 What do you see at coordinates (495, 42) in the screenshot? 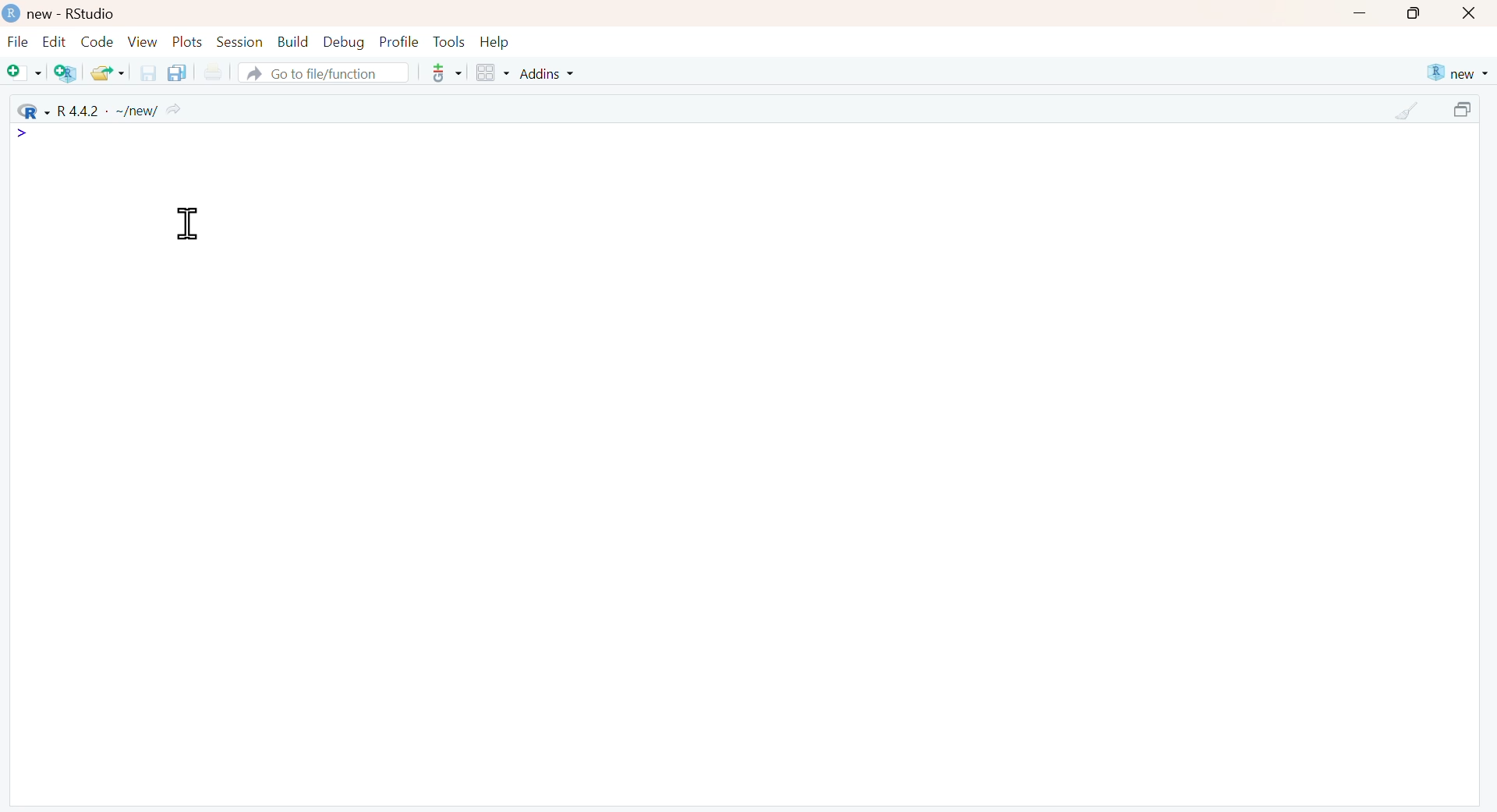
I see `Help` at bounding box center [495, 42].